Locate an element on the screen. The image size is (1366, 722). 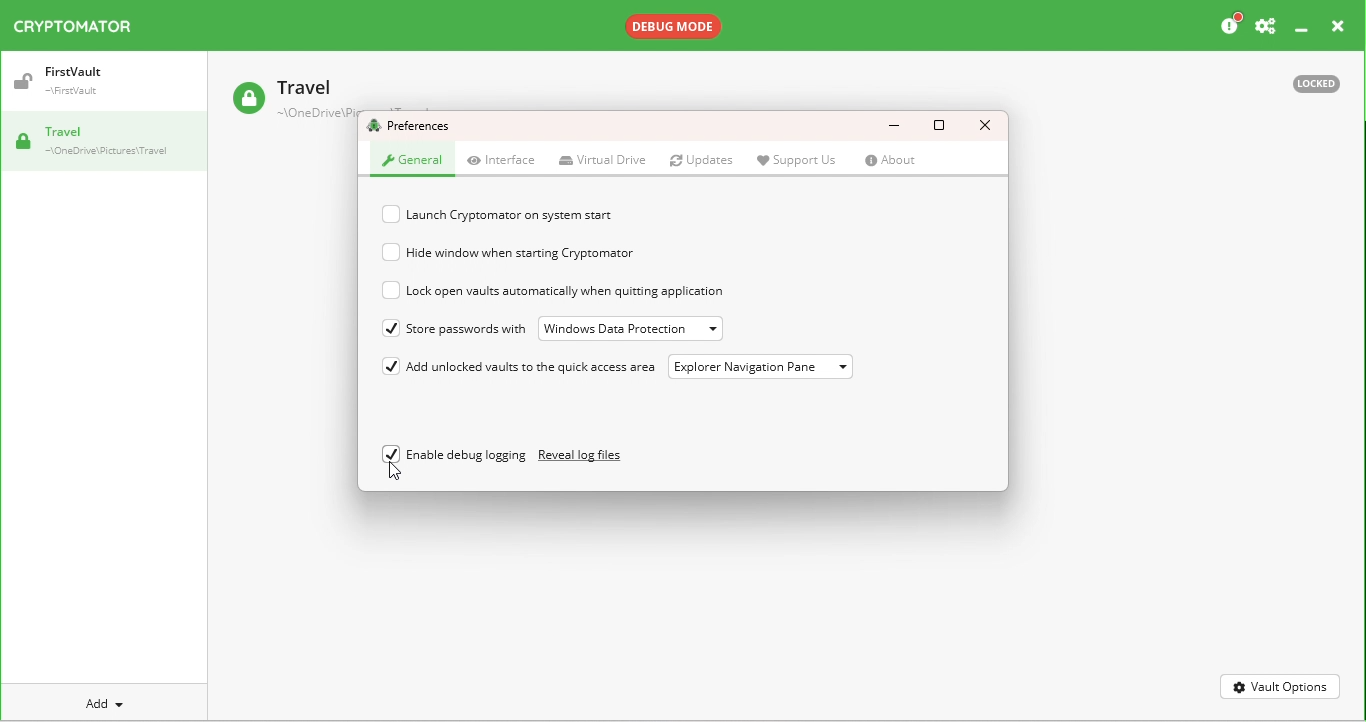
Enable debug logging reveal log files is located at coordinates (453, 455).